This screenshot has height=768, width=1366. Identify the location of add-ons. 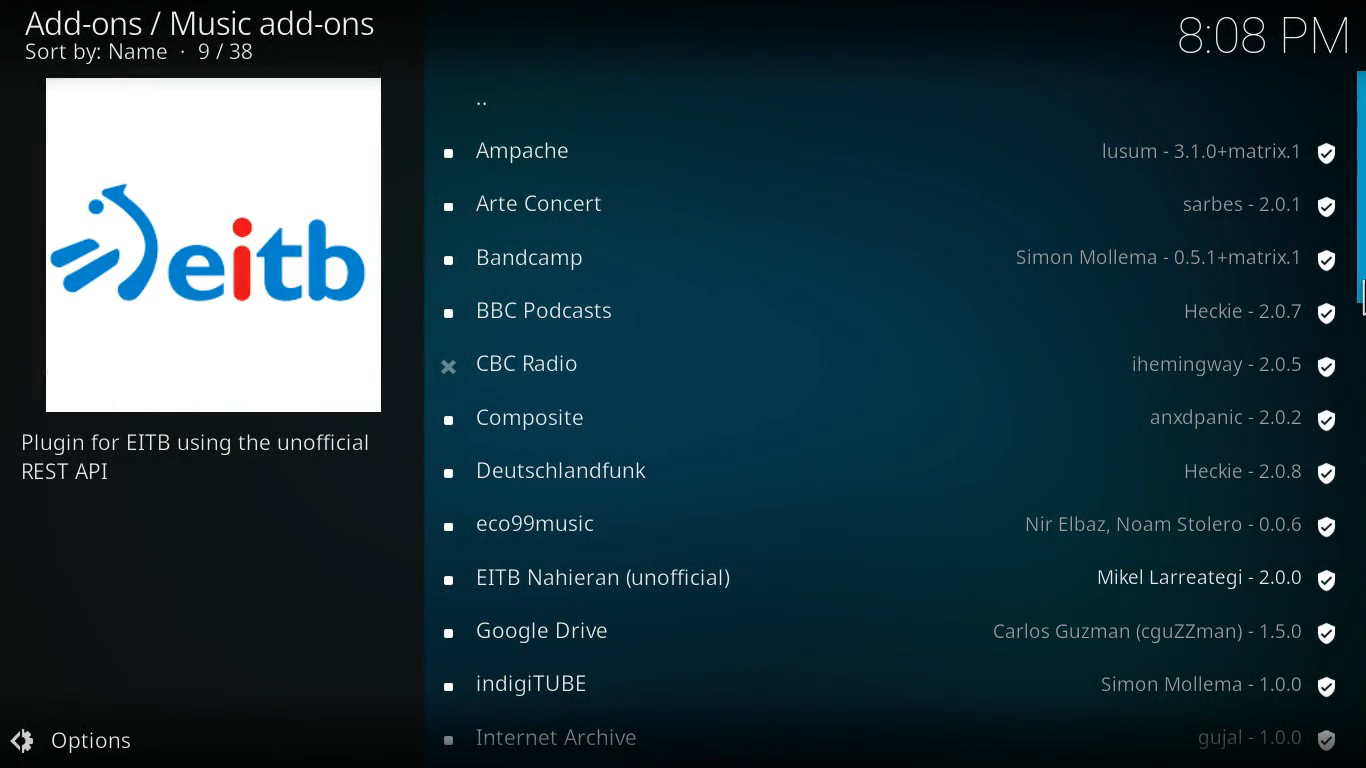
(535, 157).